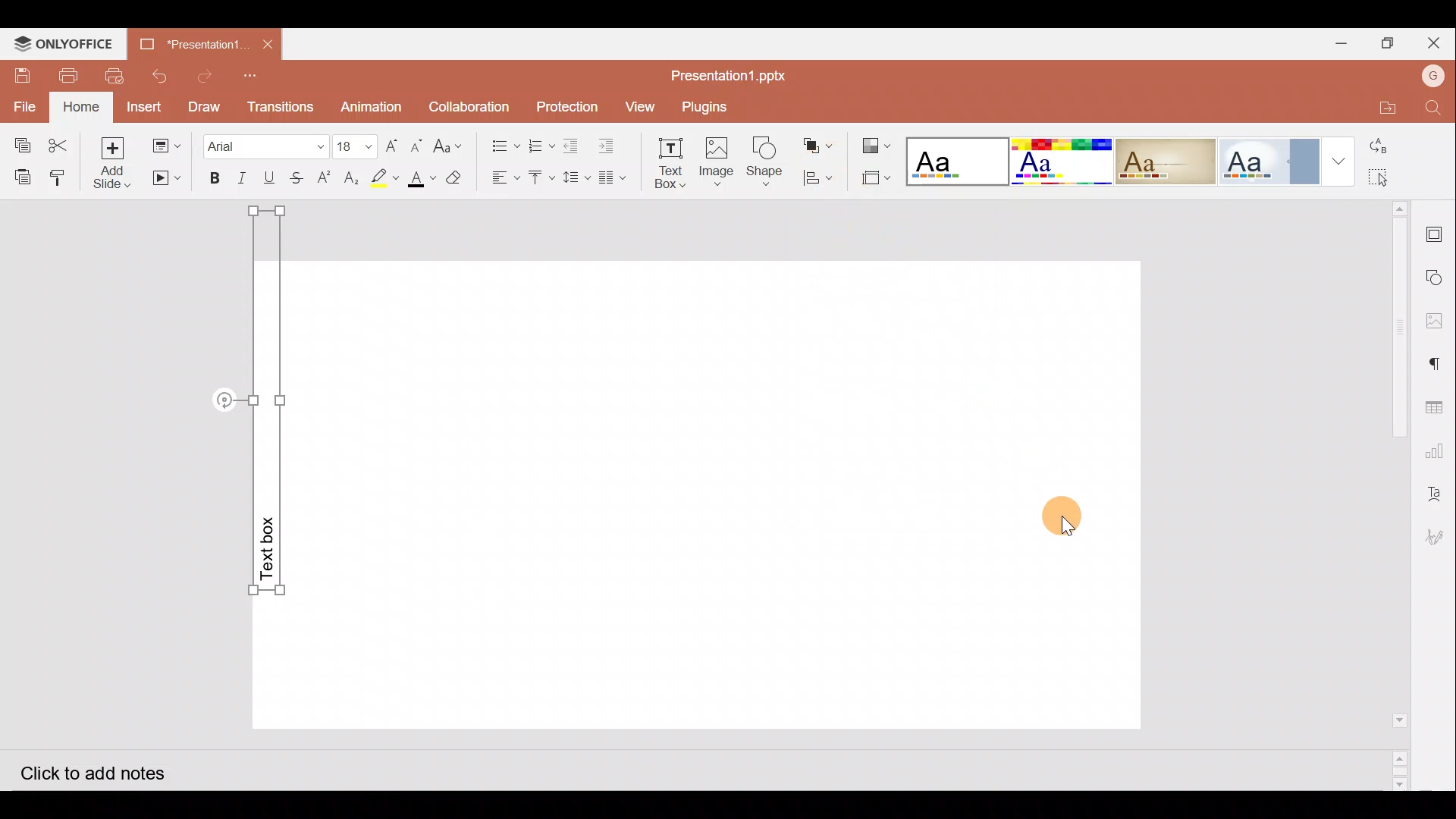 The width and height of the screenshot is (1456, 819). I want to click on Undo, so click(157, 76).